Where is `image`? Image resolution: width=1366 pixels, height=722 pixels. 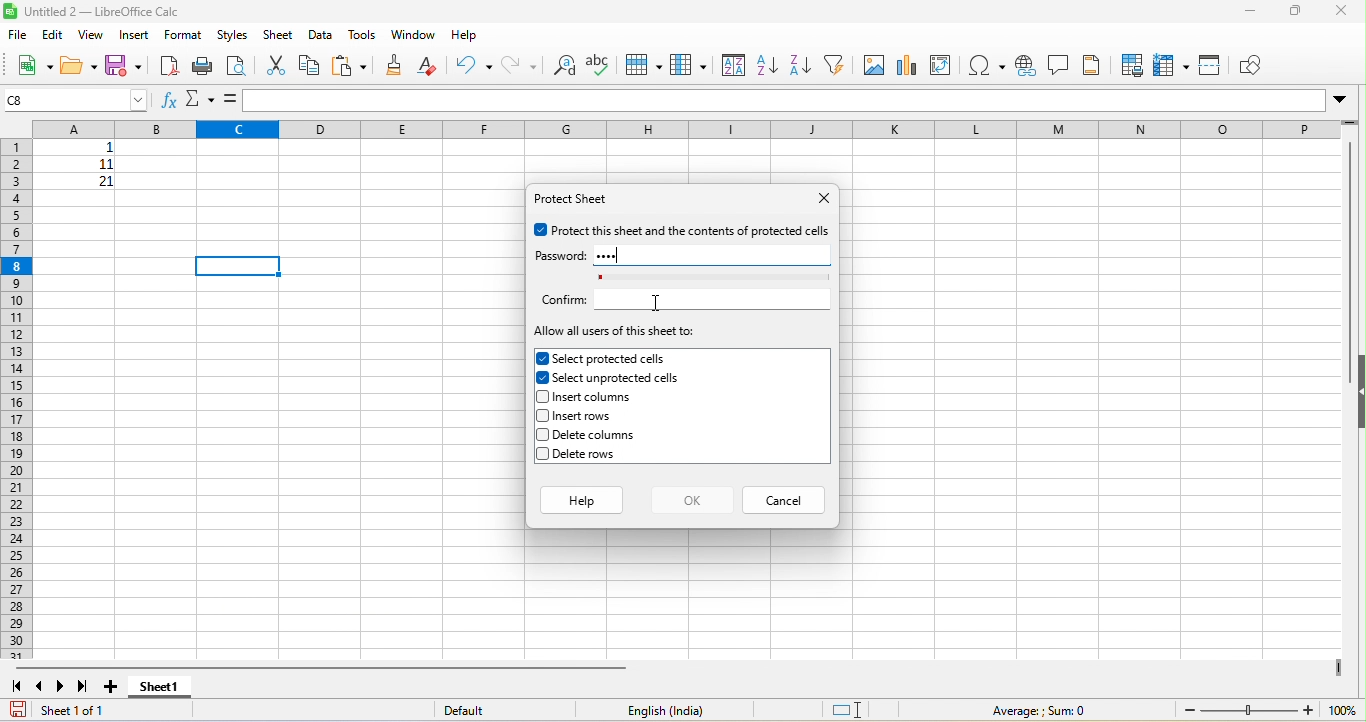 image is located at coordinates (873, 65).